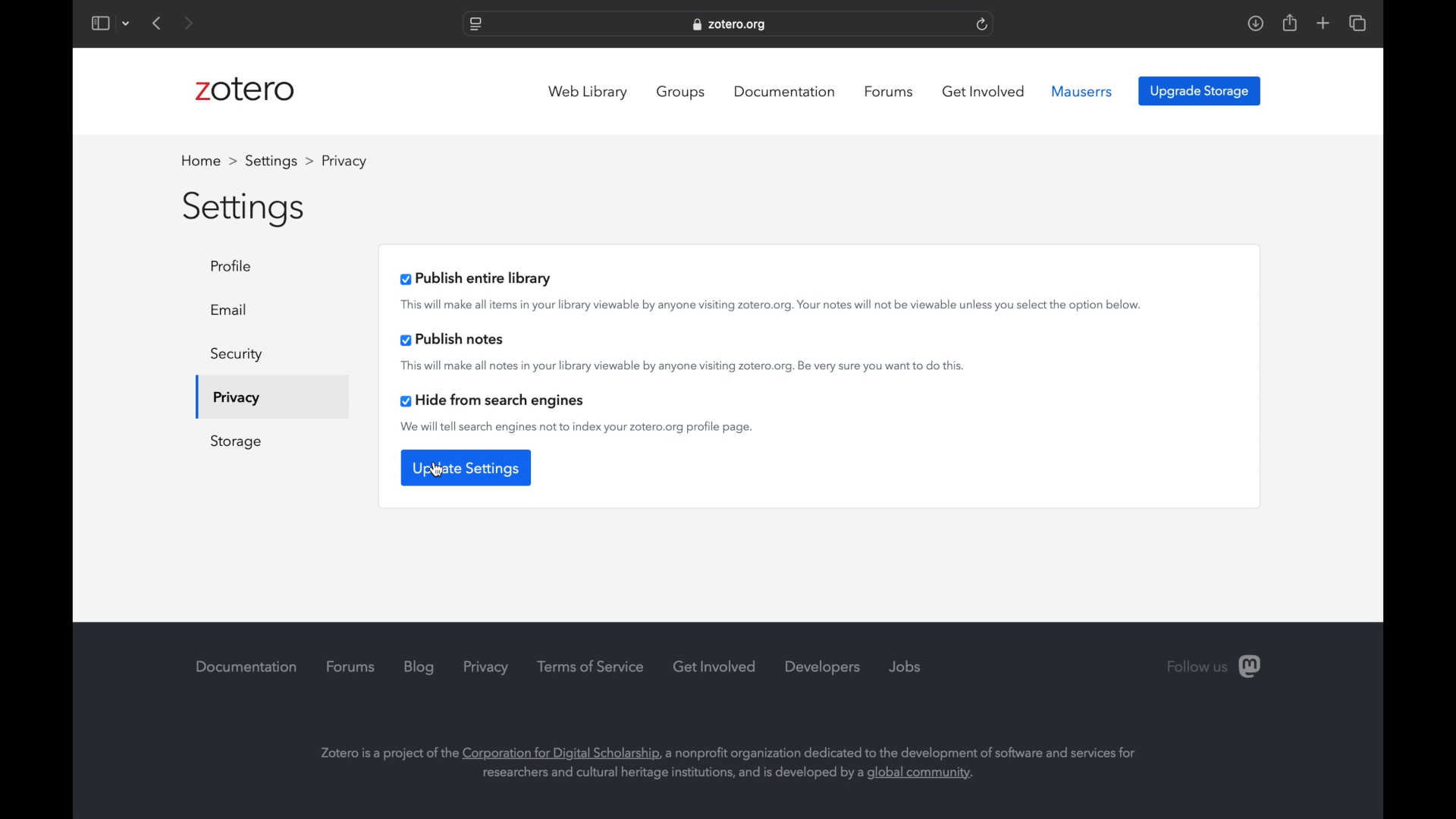  I want to click on downloads, so click(1256, 23).